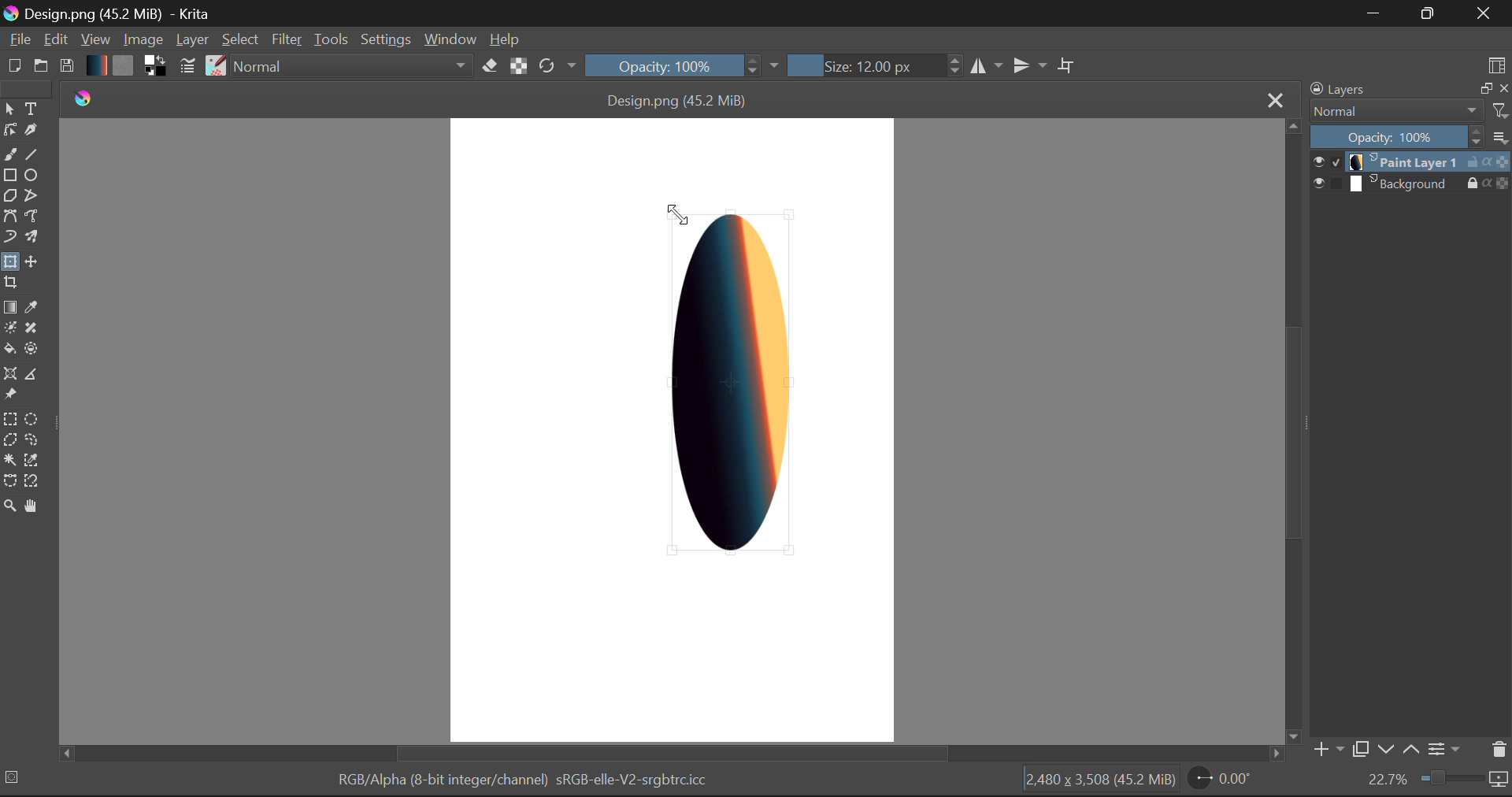  I want to click on Enclose and Fill, so click(30, 349).